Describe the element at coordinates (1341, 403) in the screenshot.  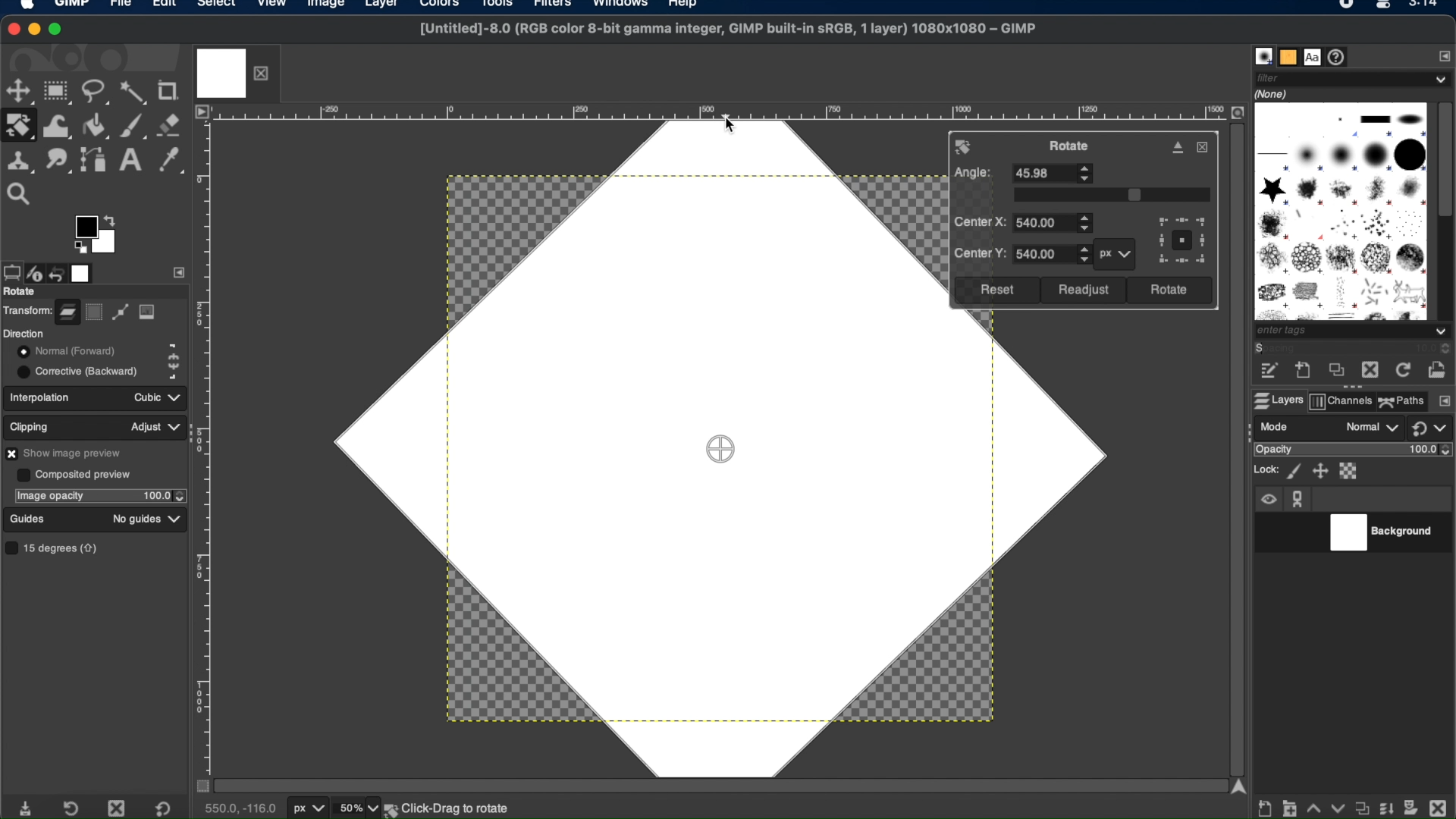
I see `channels` at that location.